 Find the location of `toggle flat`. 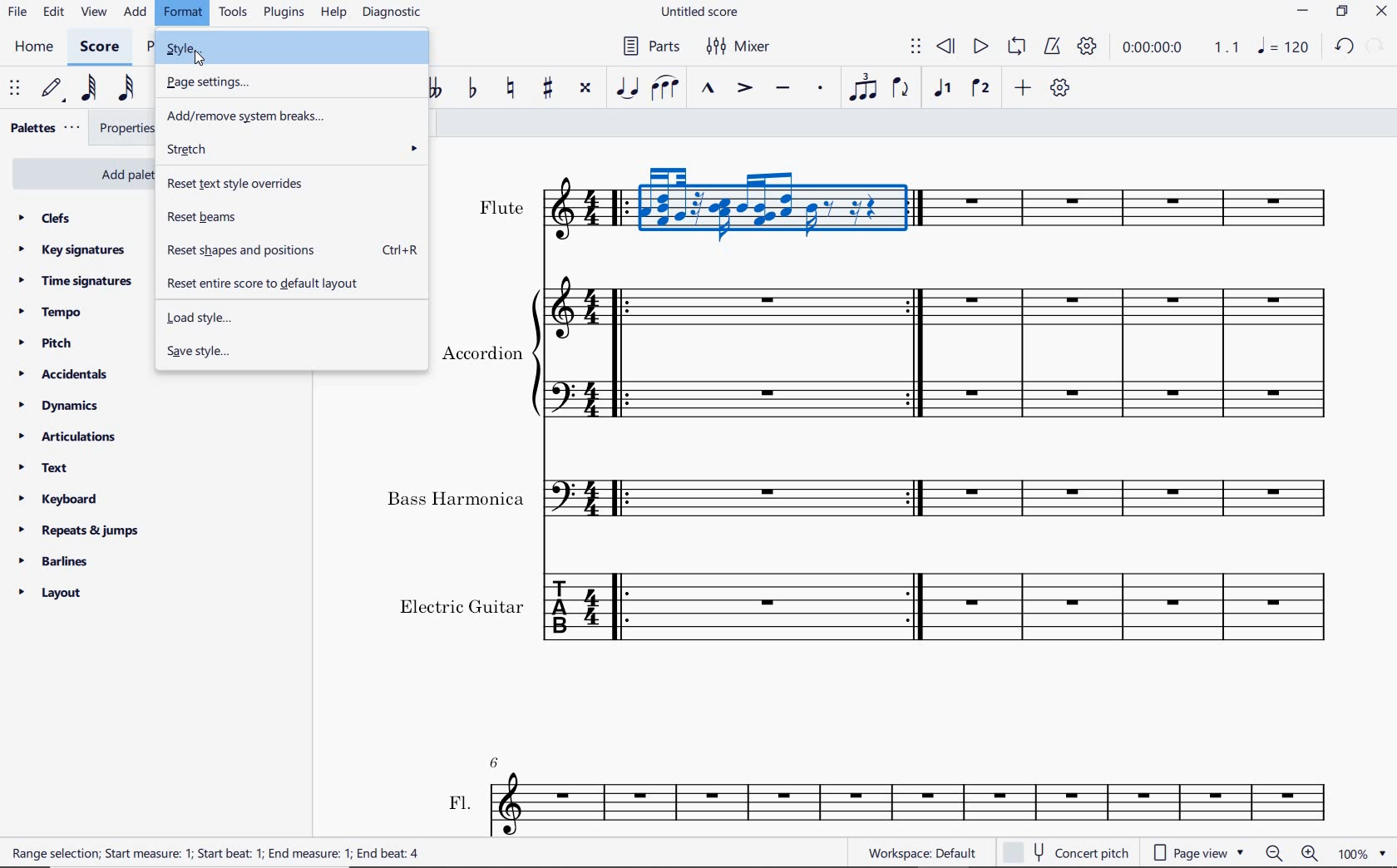

toggle flat is located at coordinates (472, 89).